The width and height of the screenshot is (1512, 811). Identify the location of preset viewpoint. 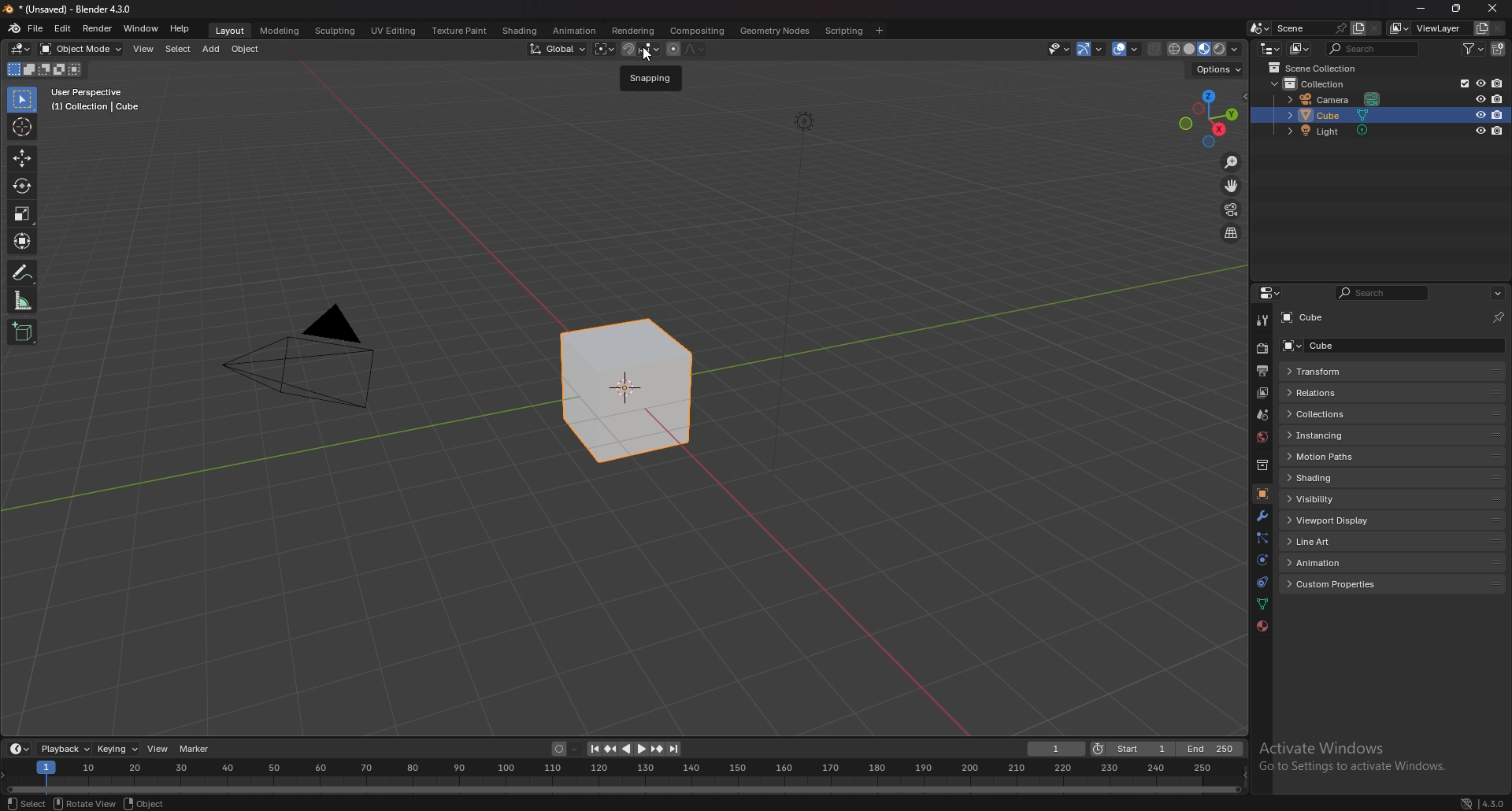
(1209, 119).